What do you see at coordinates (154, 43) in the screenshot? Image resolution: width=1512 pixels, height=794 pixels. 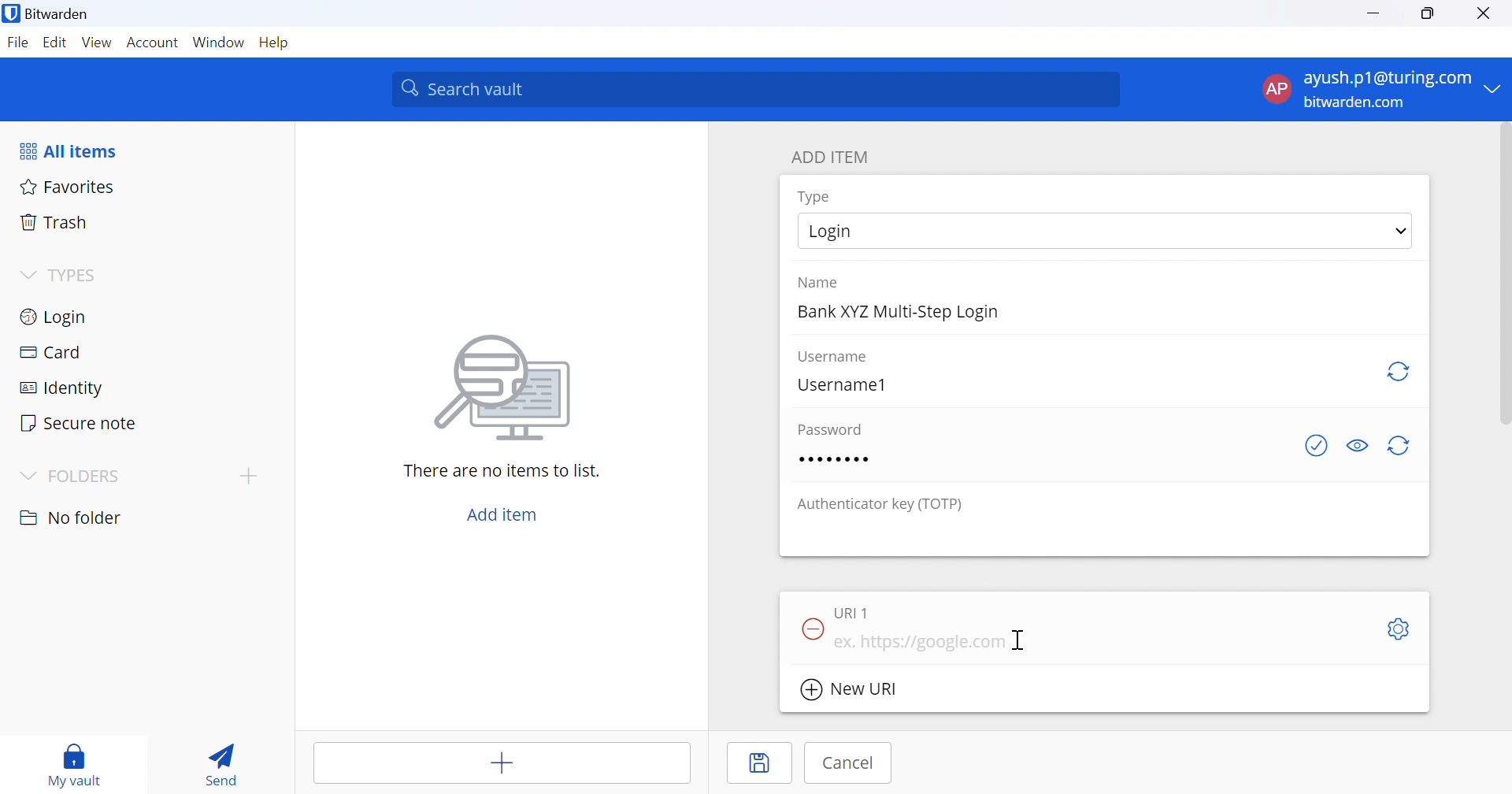 I see `Account` at bounding box center [154, 43].